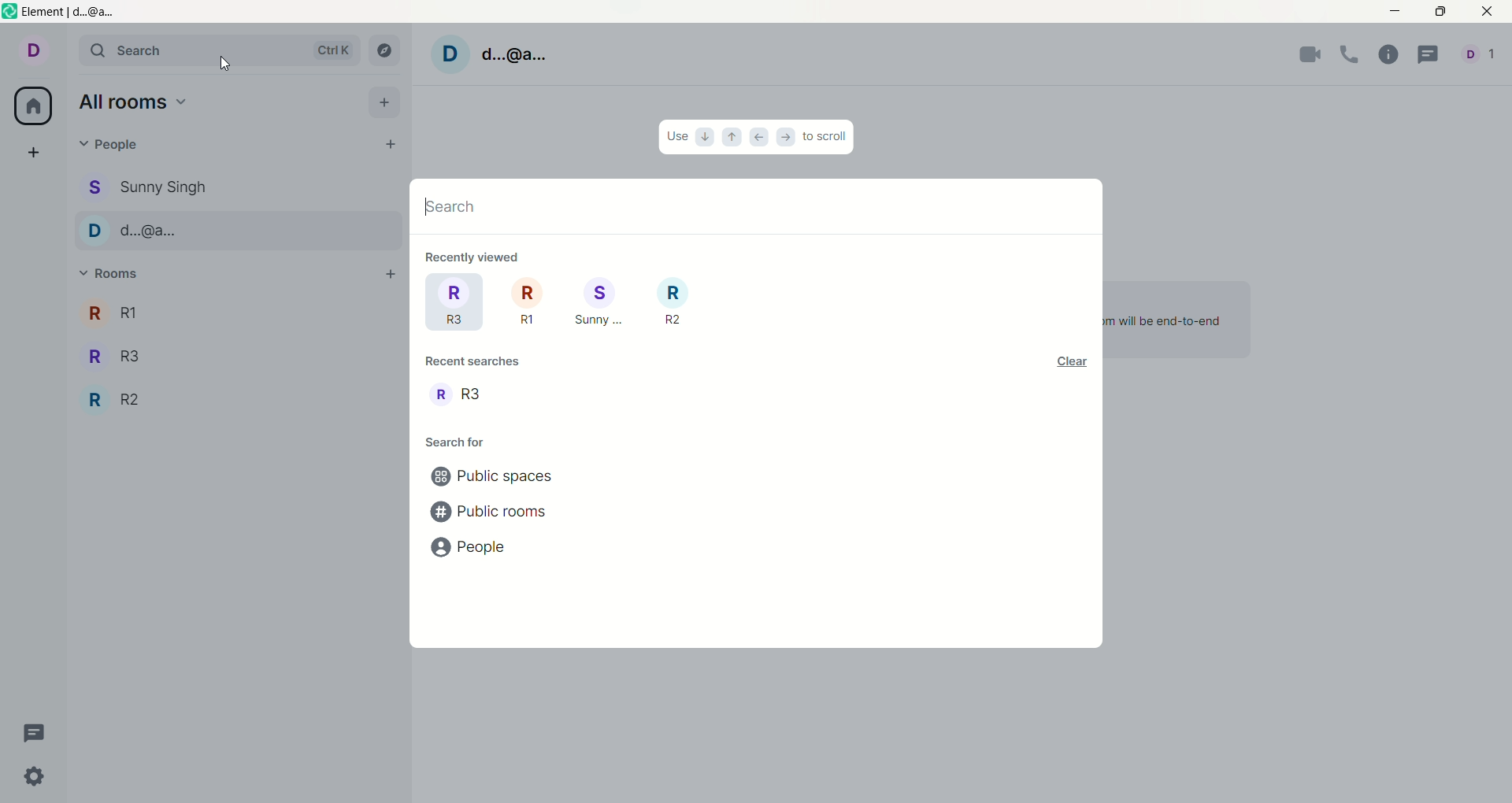 This screenshot has height=803, width=1512. Describe the element at coordinates (148, 187) in the screenshot. I see `people` at that location.